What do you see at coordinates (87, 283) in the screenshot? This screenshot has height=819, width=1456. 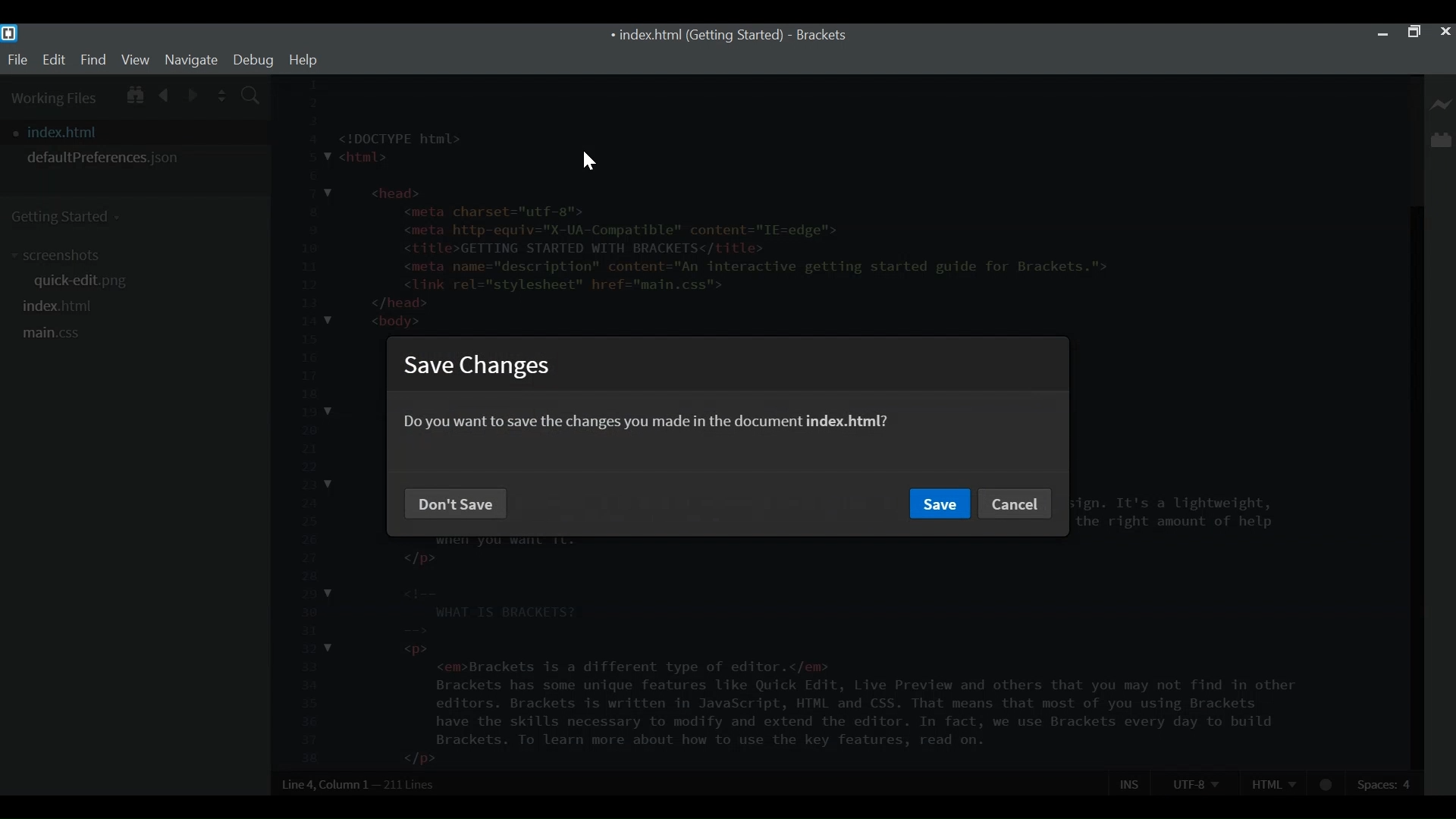 I see `quick-edit.png` at bounding box center [87, 283].